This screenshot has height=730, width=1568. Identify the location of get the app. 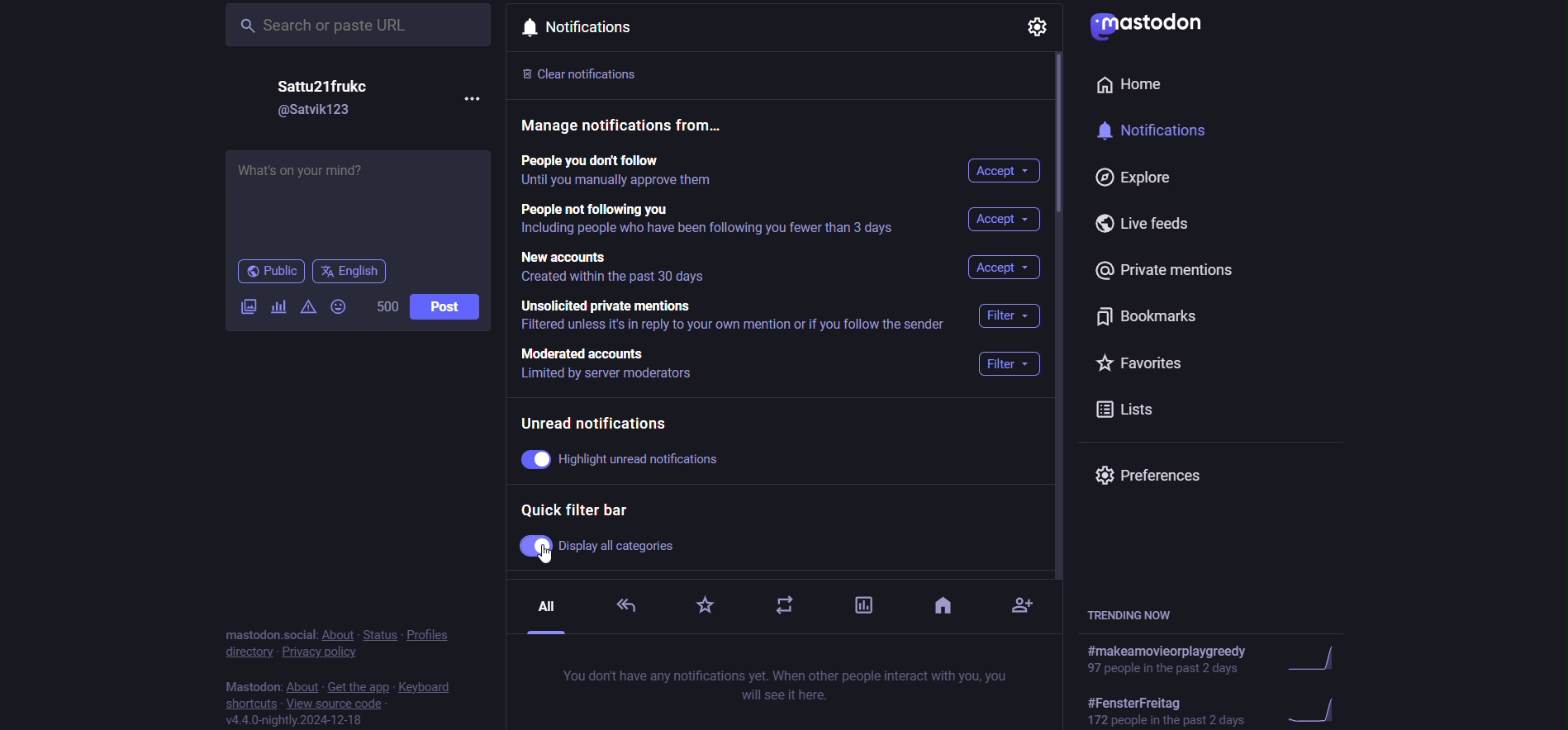
(356, 685).